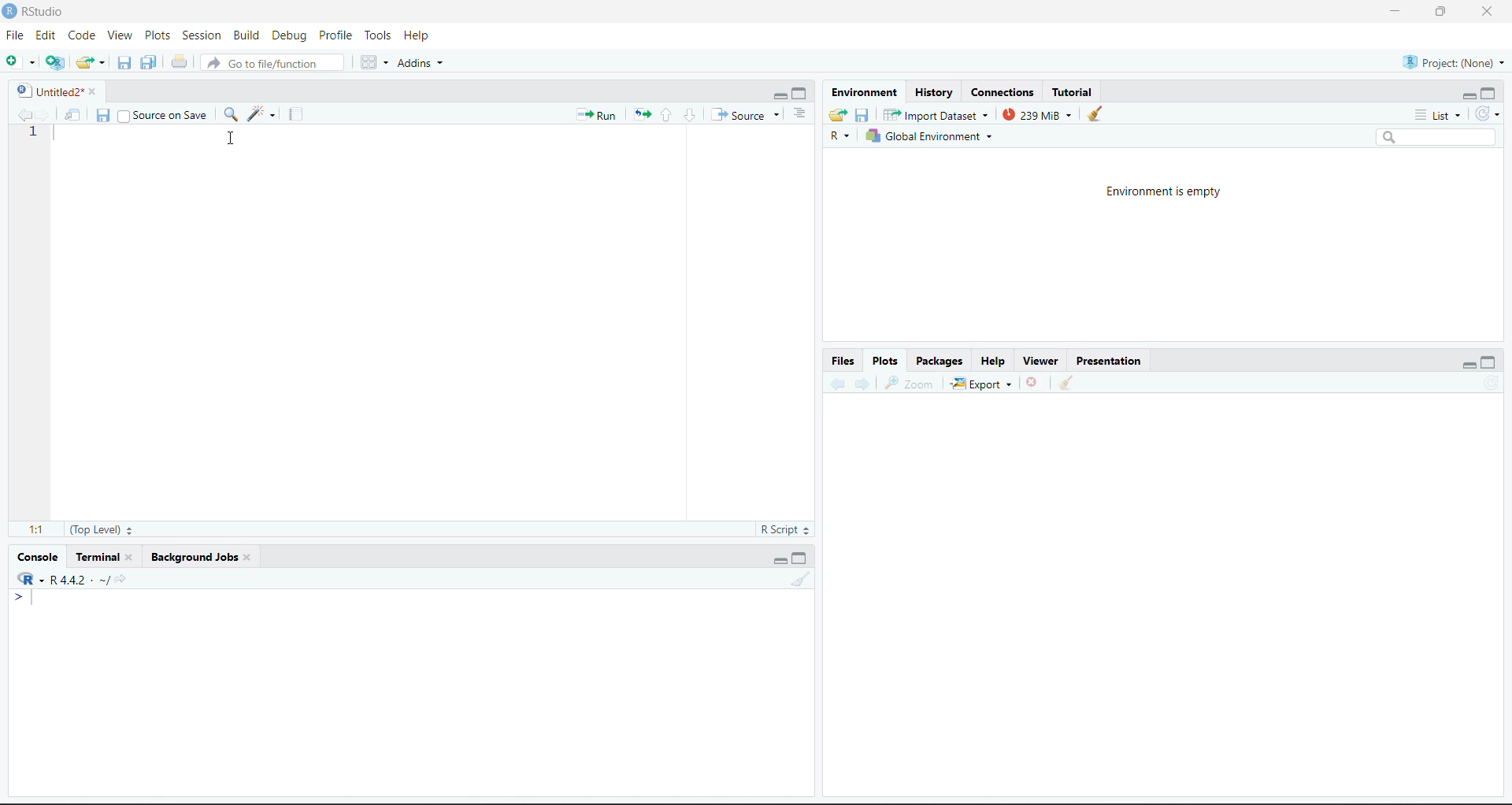  What do you see at coordinates (53, 89) in the screenshot?
I see `Untitled2*` at bounding box center [53, 89].